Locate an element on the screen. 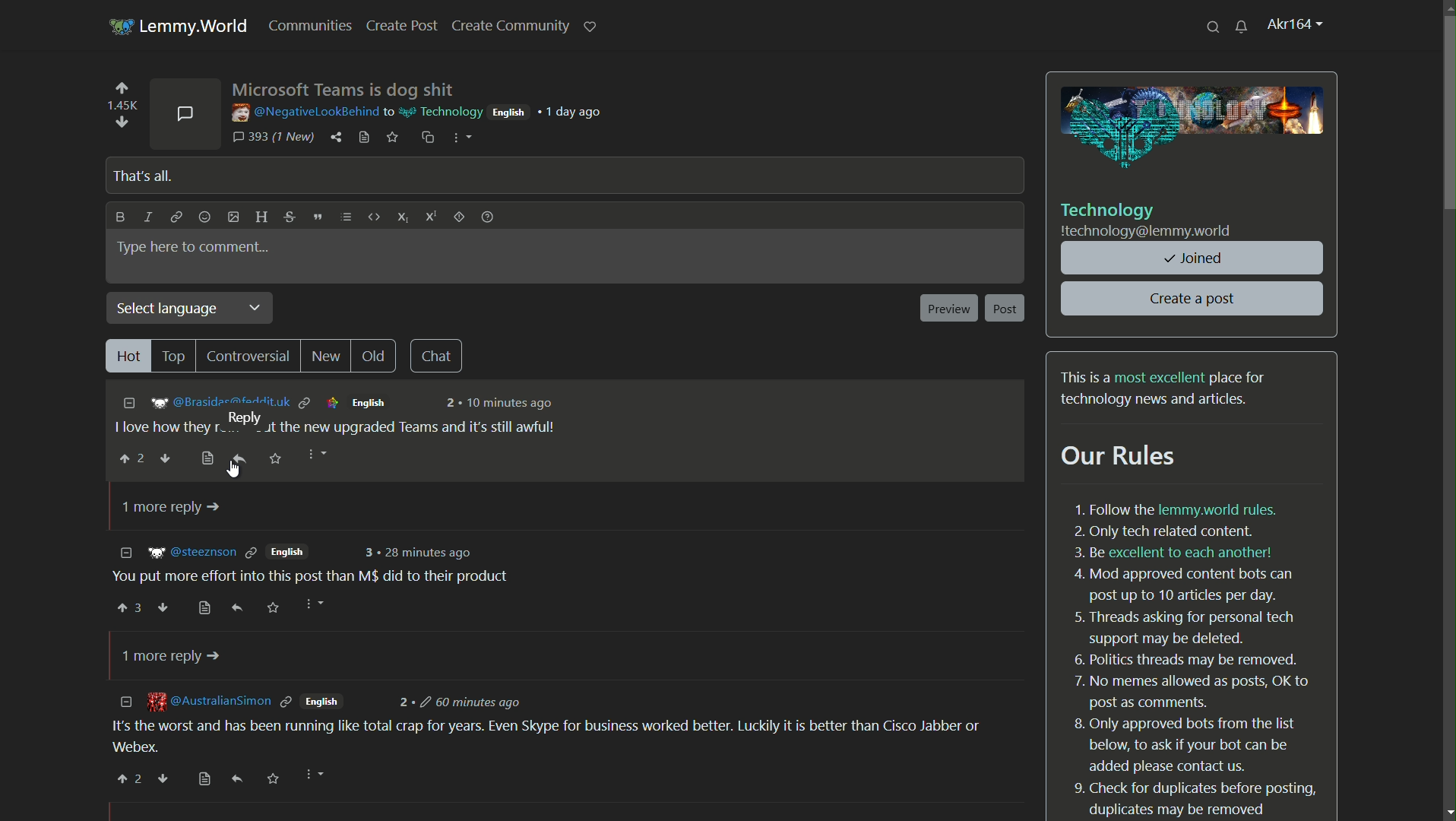 This screenshot has height=821, width=1456. more options is located at coordinates (312, 604).